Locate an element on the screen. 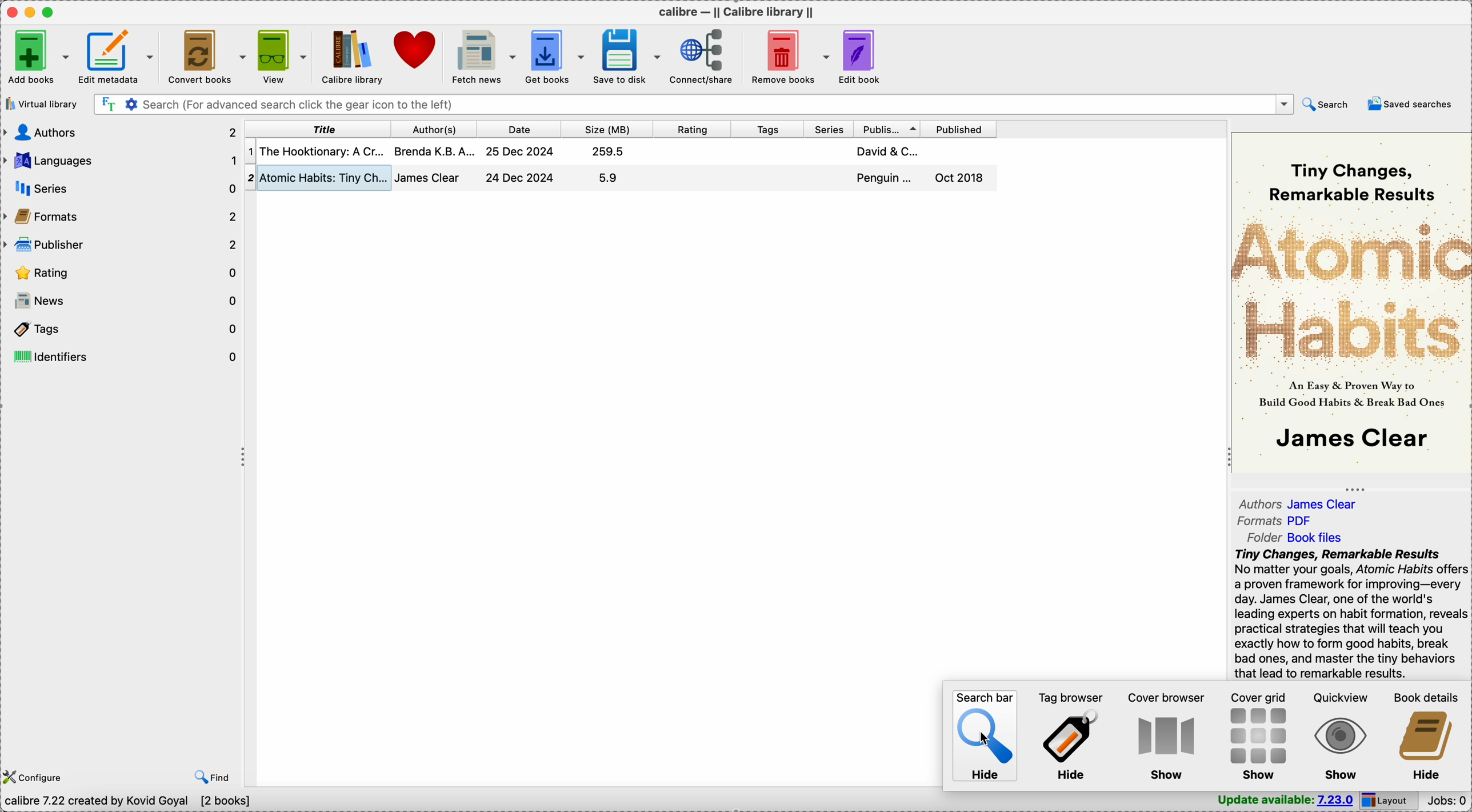  24 Dec 2024 is located at coordinates (519, 177).